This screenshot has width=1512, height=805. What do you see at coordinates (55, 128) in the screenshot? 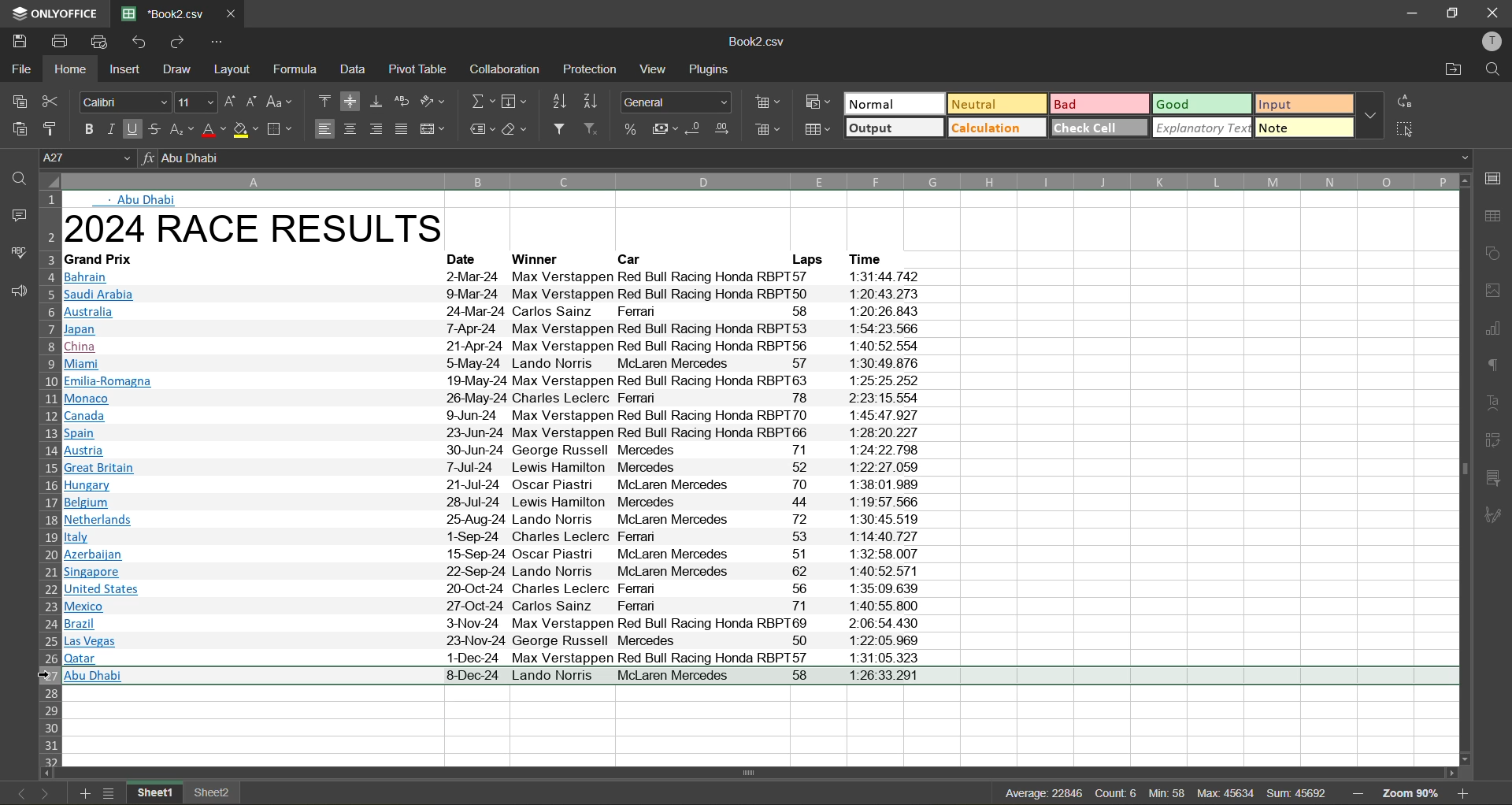
I see `copy style` at bounding box center [55, 128].